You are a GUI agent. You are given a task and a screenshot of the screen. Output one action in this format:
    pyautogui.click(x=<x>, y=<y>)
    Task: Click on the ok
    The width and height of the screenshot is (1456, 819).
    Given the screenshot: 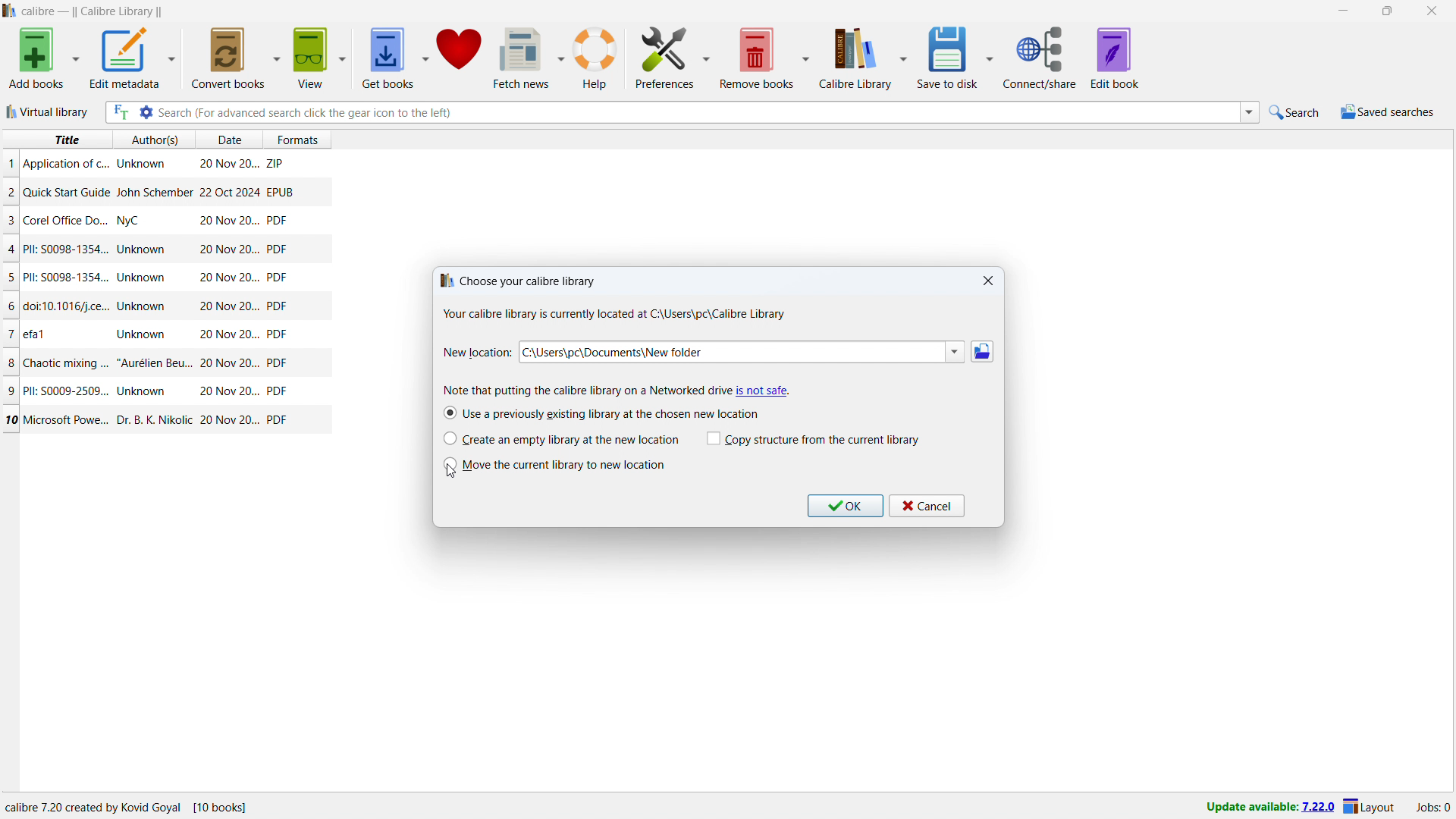 What is the action you would take?
    pyautogui.click(x=845, y=506)
    